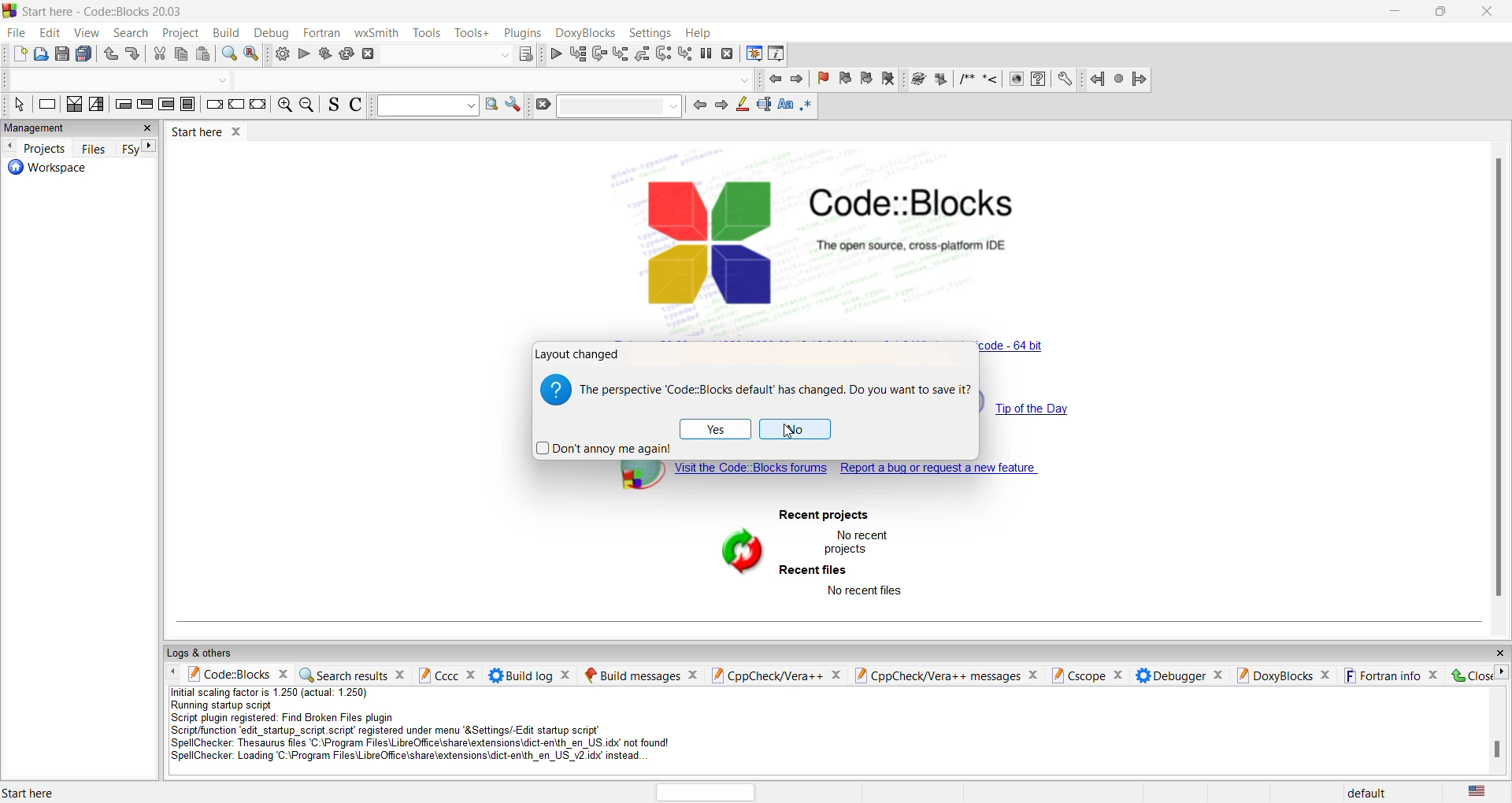 The image size is (1512, 803). What do you see at coordinates (323, 31) in the screenshot?
I see `fortran` at bounding box center [323, 31].